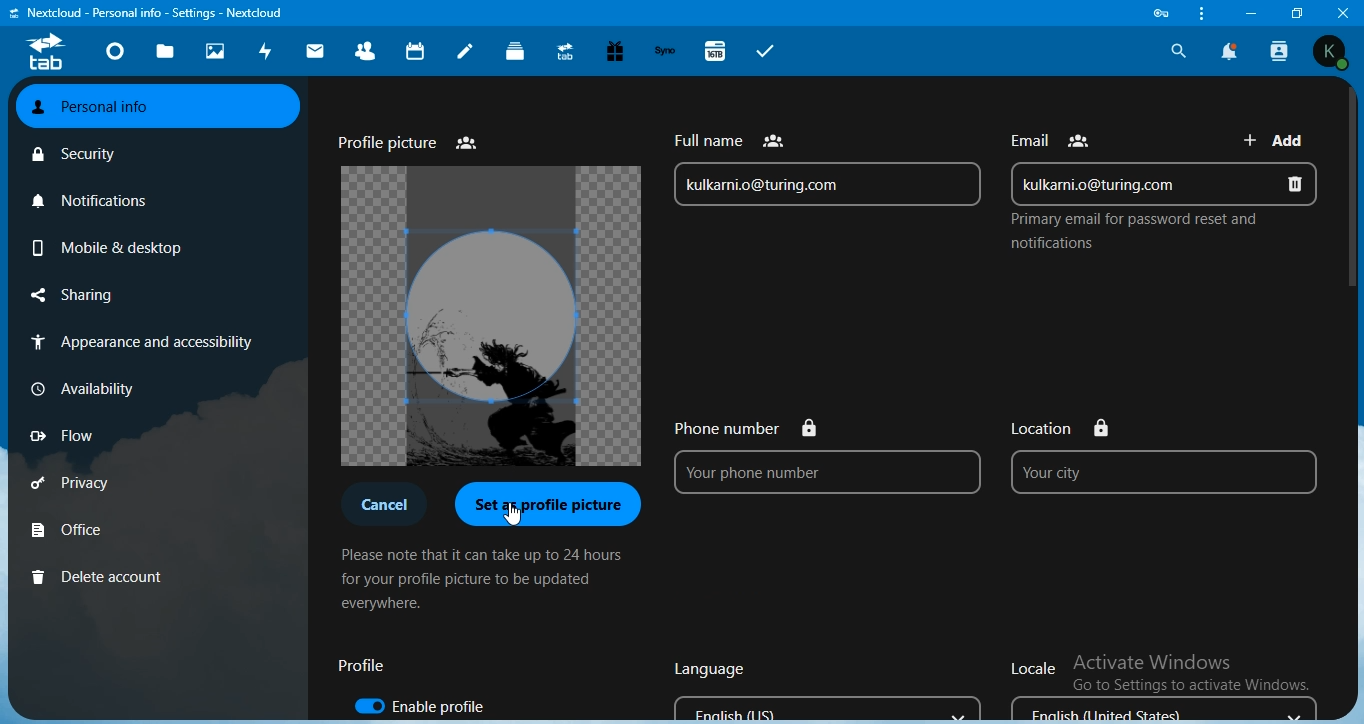  I want to click on notification, so click(1230, 51).